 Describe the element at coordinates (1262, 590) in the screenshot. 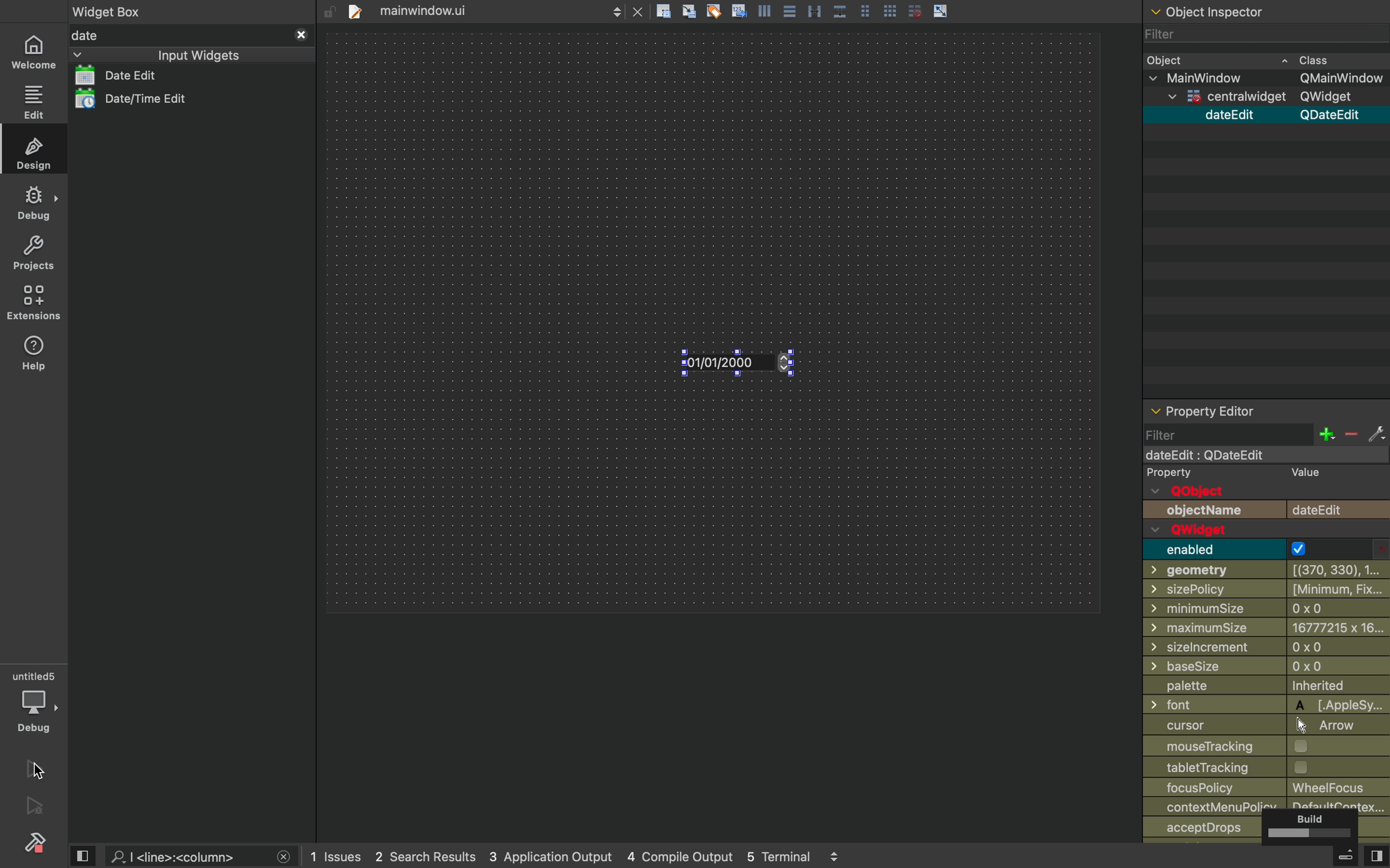

I see `sizepolicy` at that location.